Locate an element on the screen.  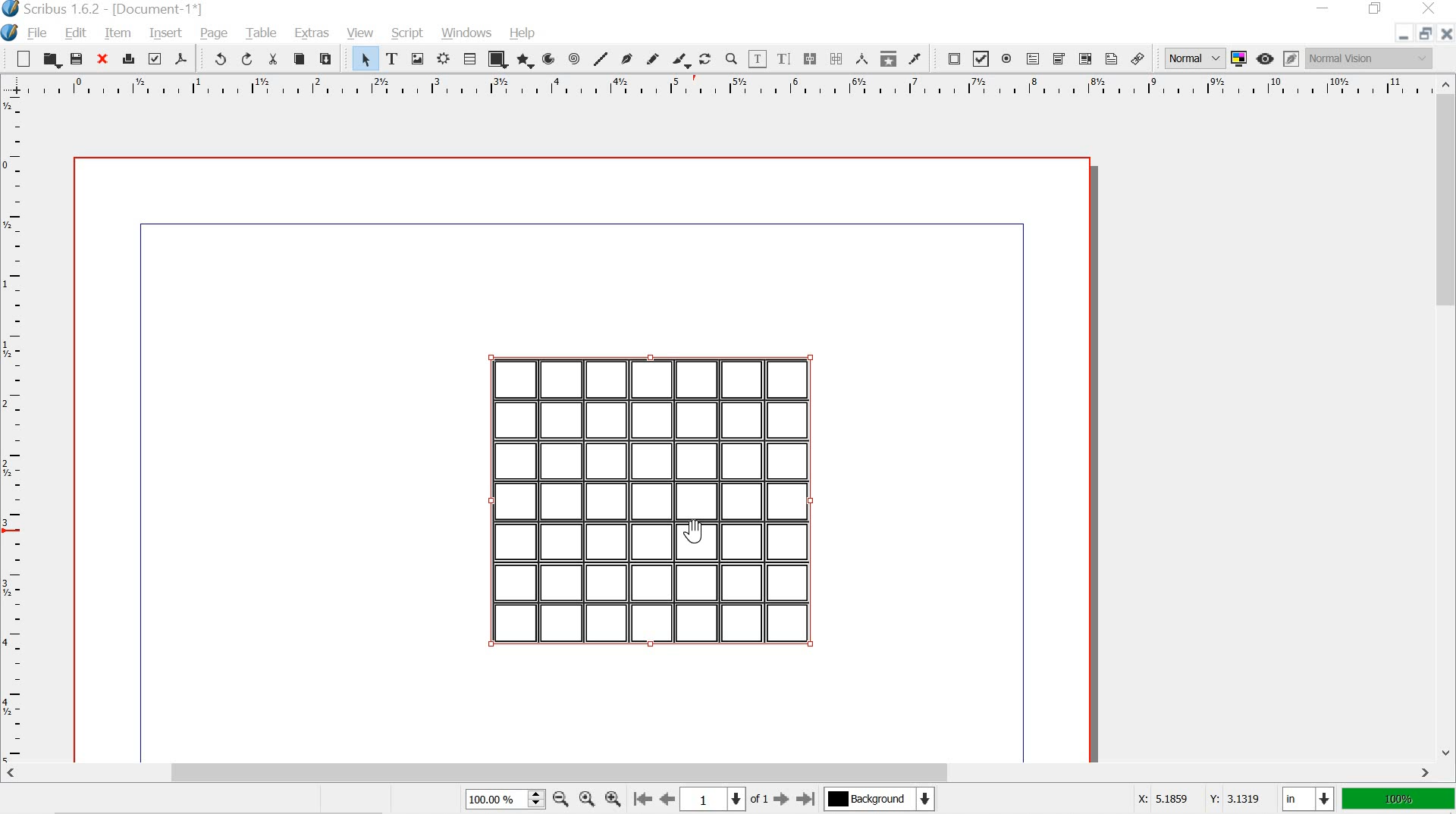
freehand line is located at coordinates (654, 58).